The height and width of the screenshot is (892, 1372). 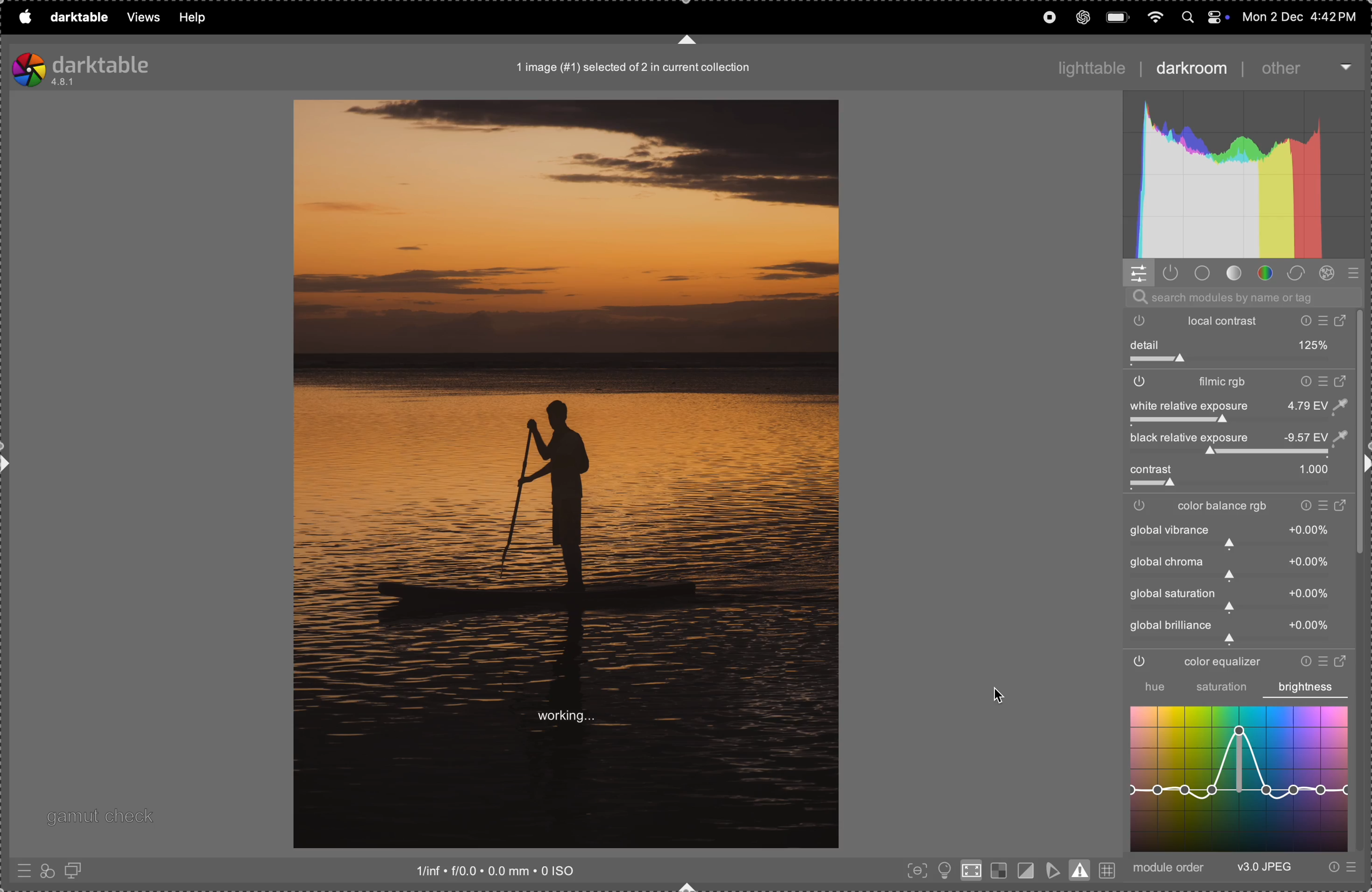 I want to click on toggle bar, so click(x=1239, y=362).